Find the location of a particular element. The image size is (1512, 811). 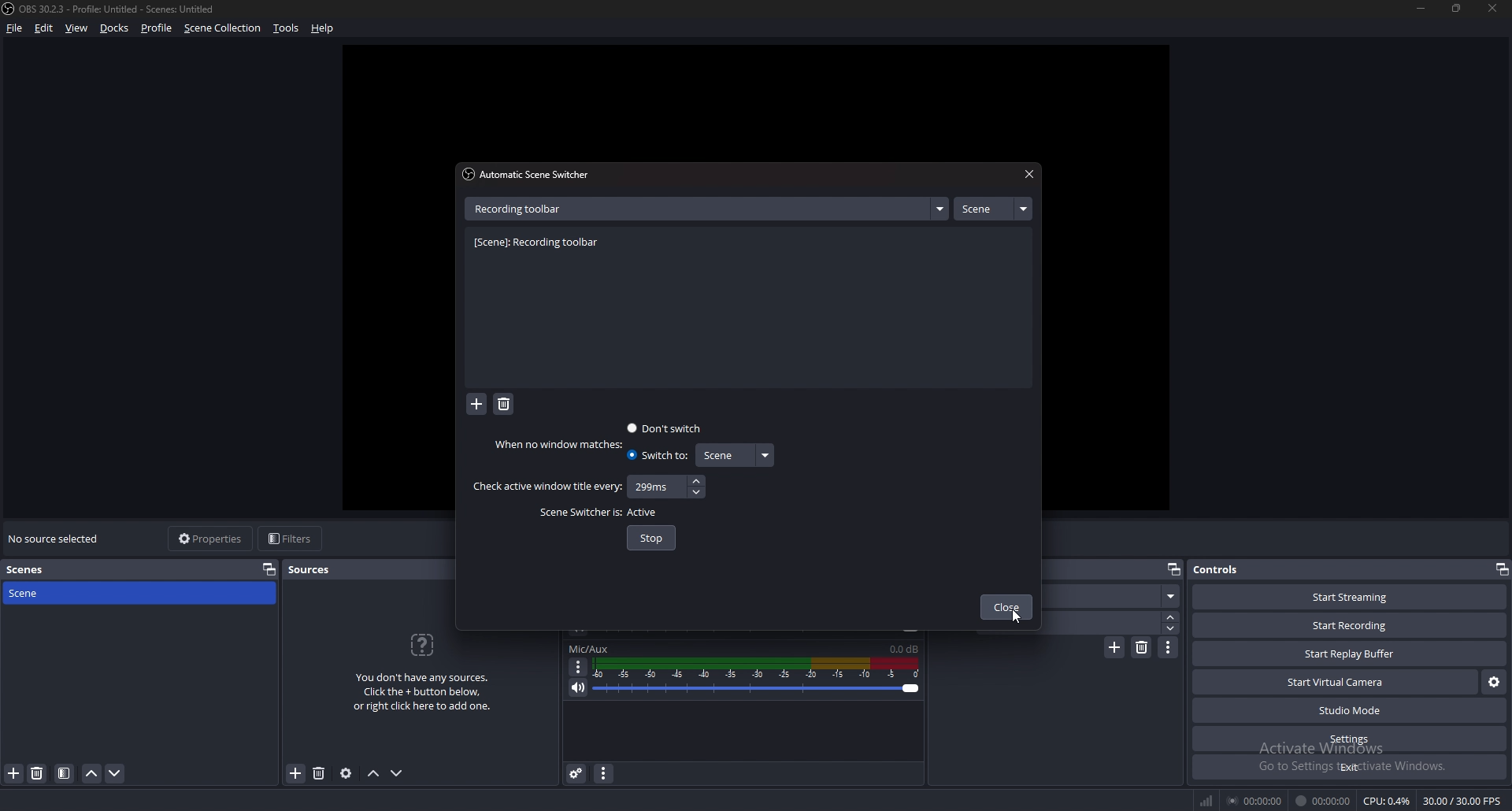

check active window title every is located at coordinates (547, 487).